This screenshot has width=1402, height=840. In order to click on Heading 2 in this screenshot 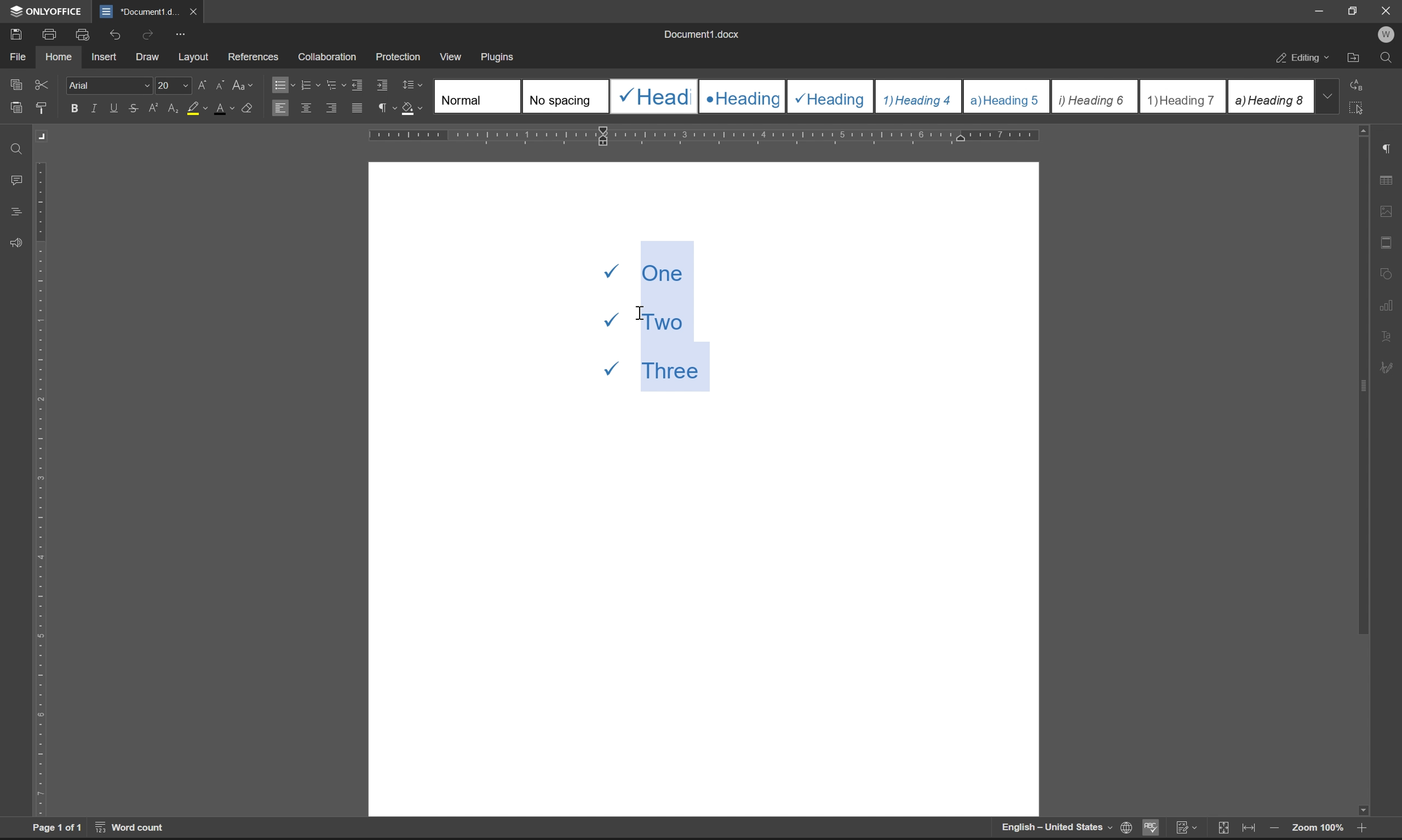, I will do `click(742, 97)`.